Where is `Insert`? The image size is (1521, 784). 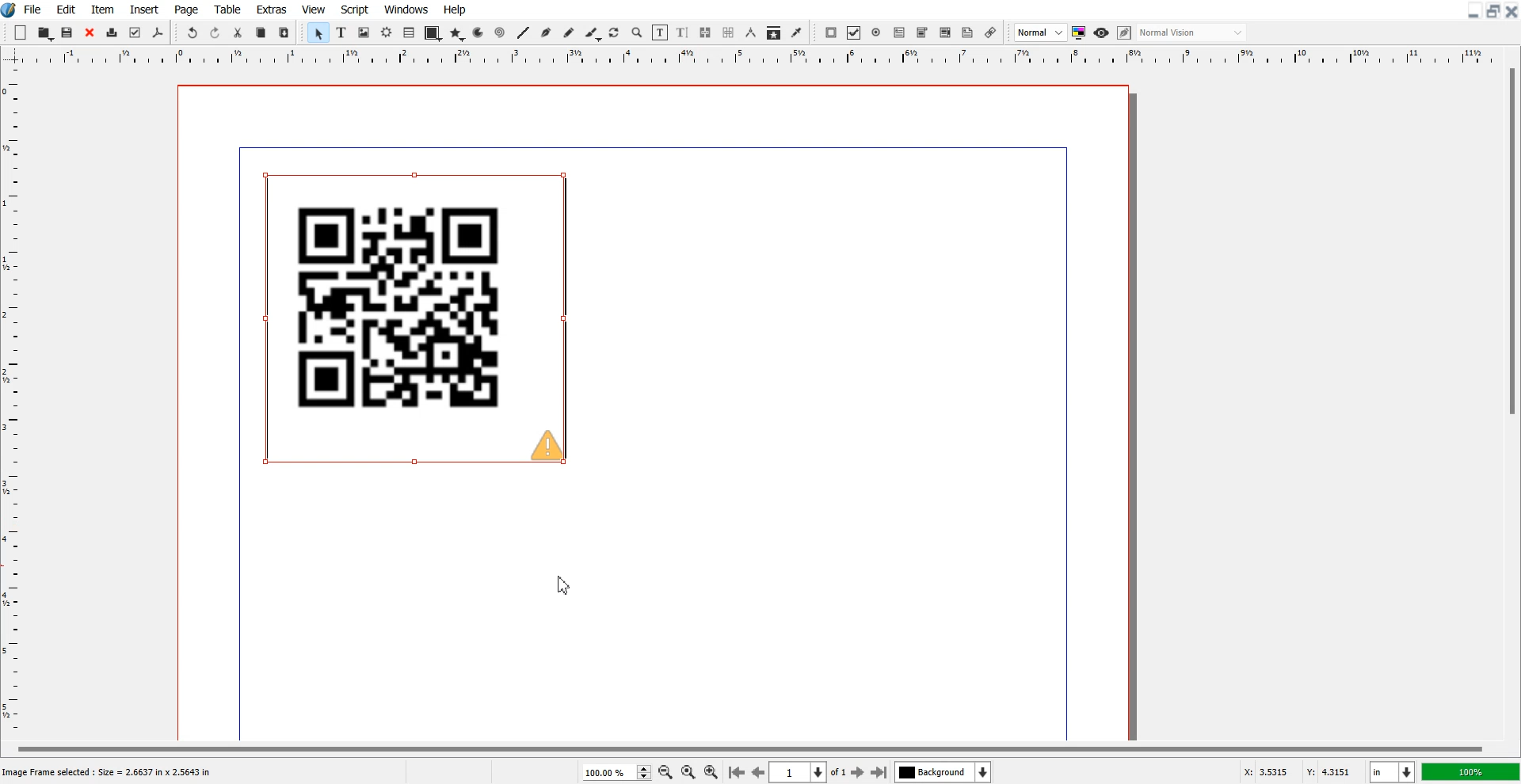
Insert is located at coordinates (143, 9).